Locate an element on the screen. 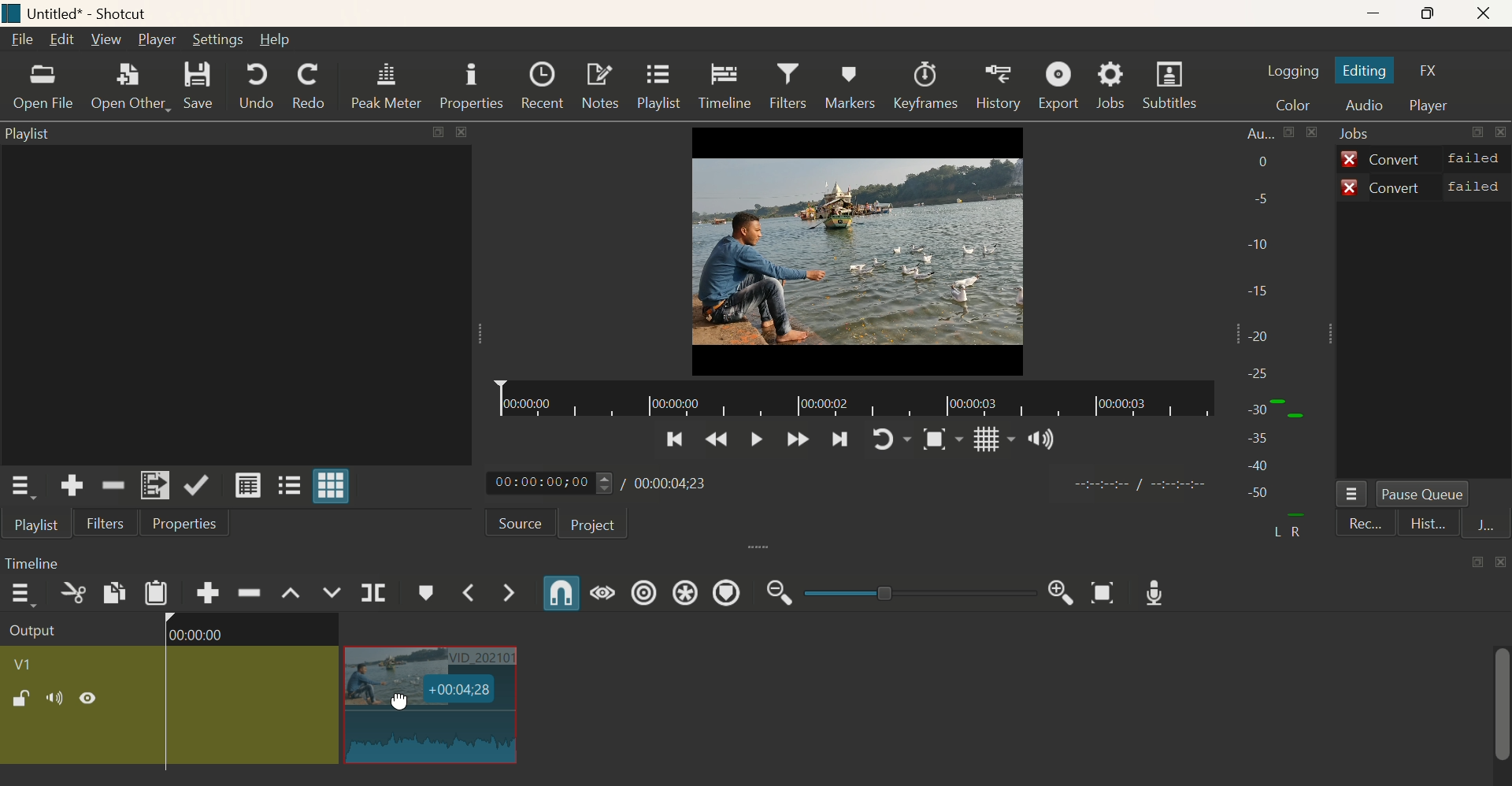 This screenshot has height=786, width=1512. Sound is located at coordinates (1039, 439).